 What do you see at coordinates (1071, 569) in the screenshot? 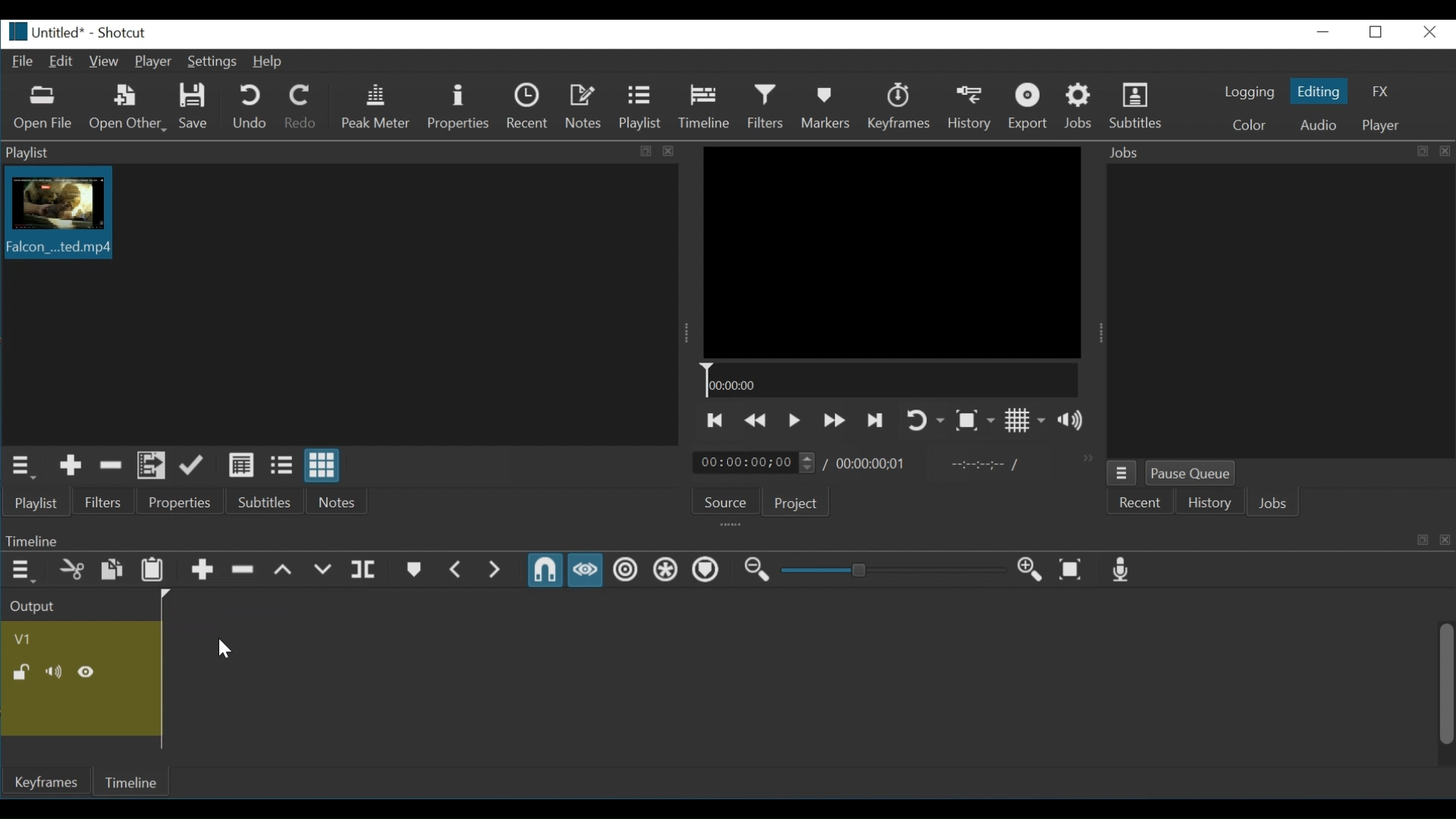
I see `Zoom Timeline to fit` at bounding box center [1071, 569].